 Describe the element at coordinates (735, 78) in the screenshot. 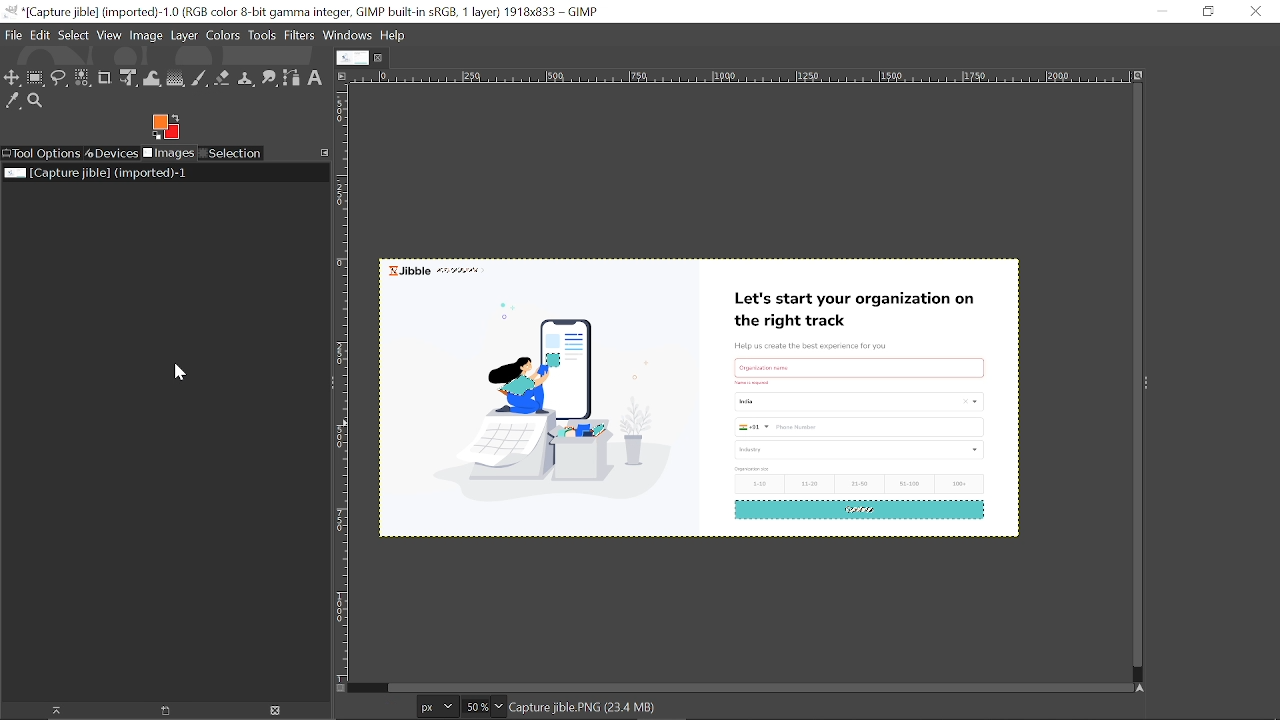

I see `Horizontal labe;` at that location.